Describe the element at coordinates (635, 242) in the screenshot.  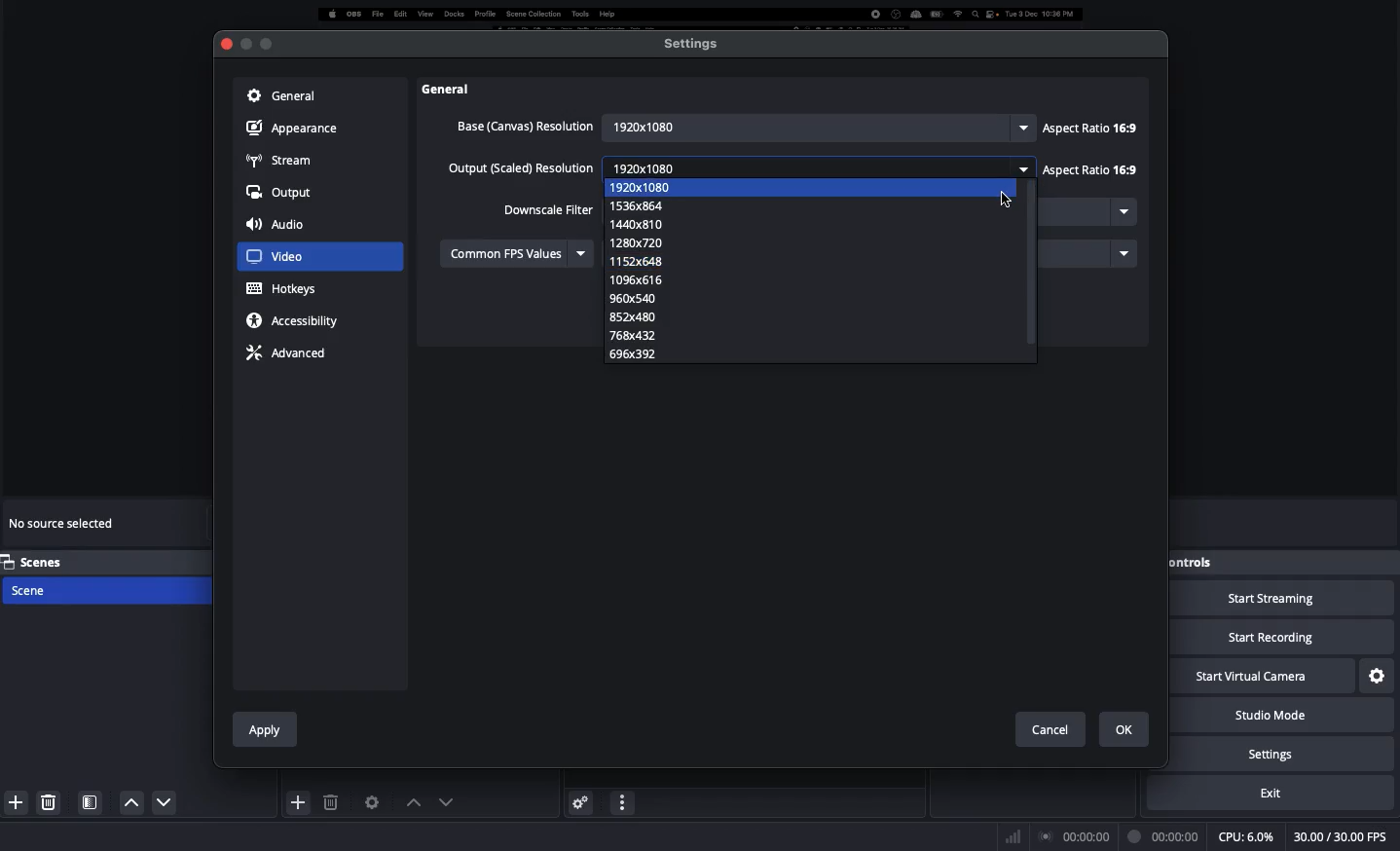
I see `1280x720` at that location.